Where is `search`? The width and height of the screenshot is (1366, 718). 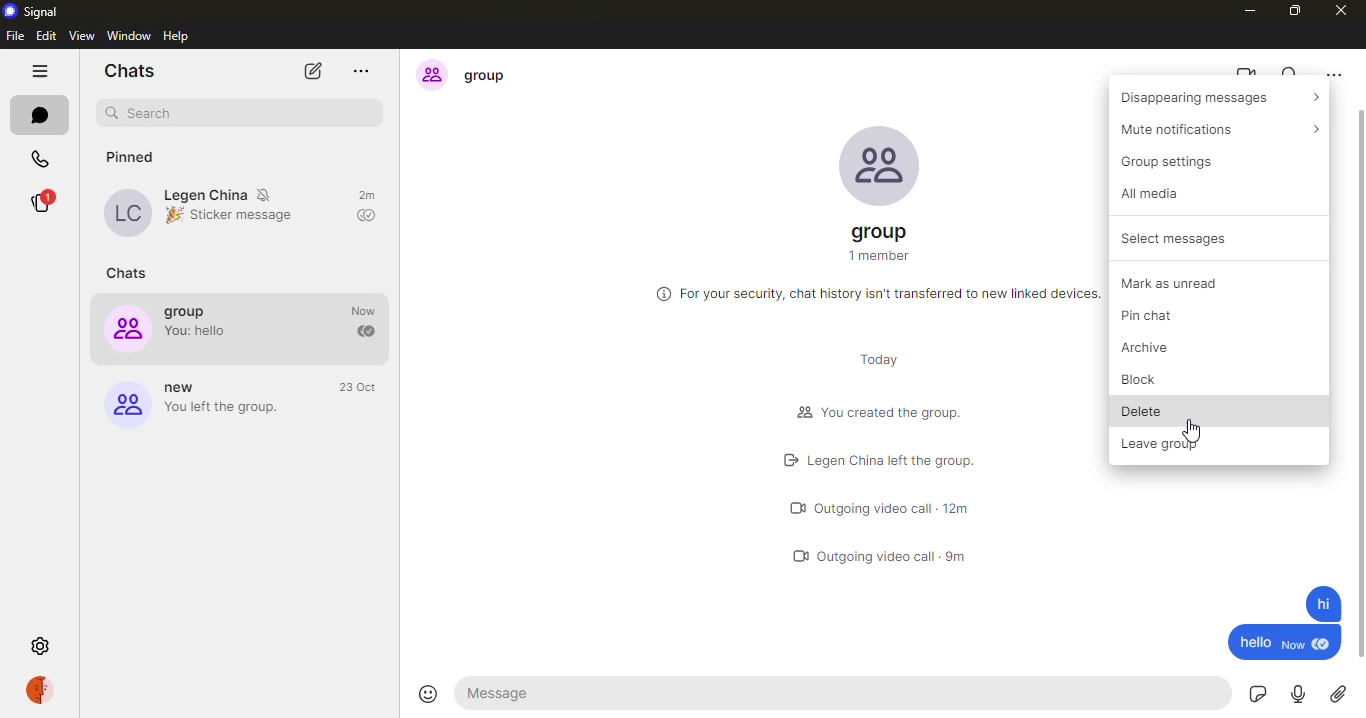 search is located at coordinates (1292, 77).